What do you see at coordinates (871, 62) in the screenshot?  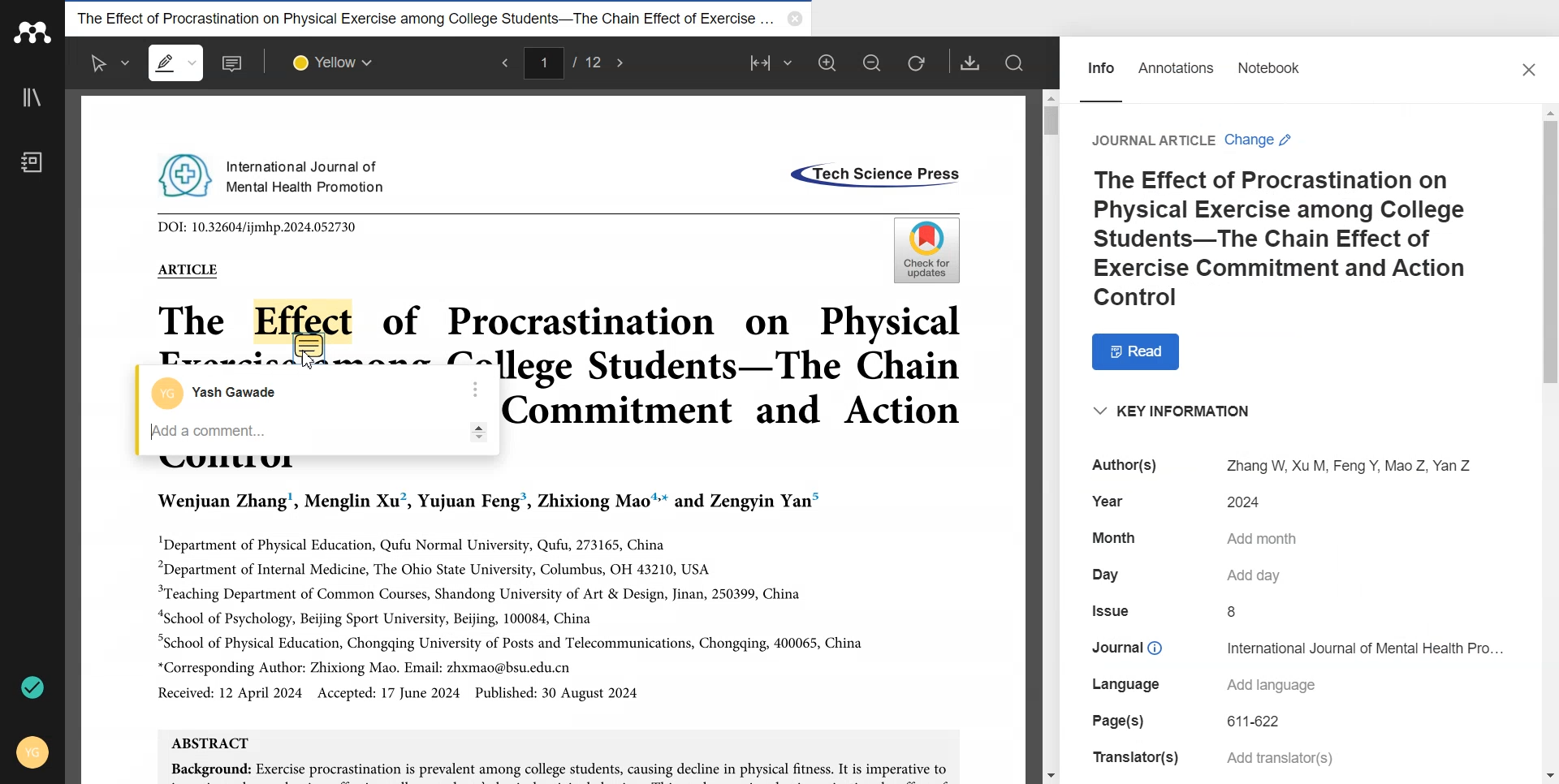 I see `Zoom out` at bounding box center [871, 62].